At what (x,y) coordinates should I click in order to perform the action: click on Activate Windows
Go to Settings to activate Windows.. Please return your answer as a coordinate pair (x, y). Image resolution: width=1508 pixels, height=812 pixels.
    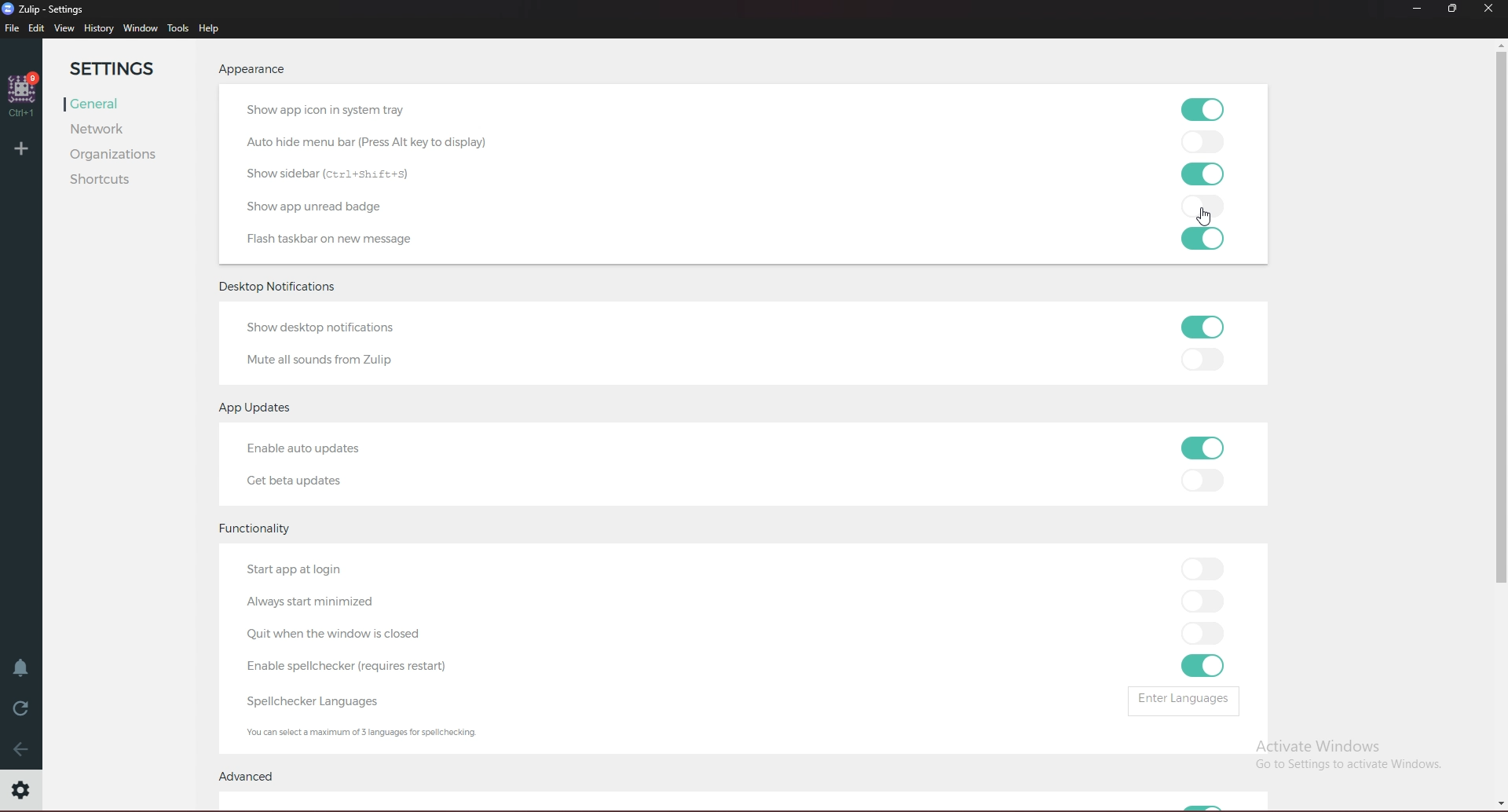
    Looking at the image, I should click on (1343, 753).